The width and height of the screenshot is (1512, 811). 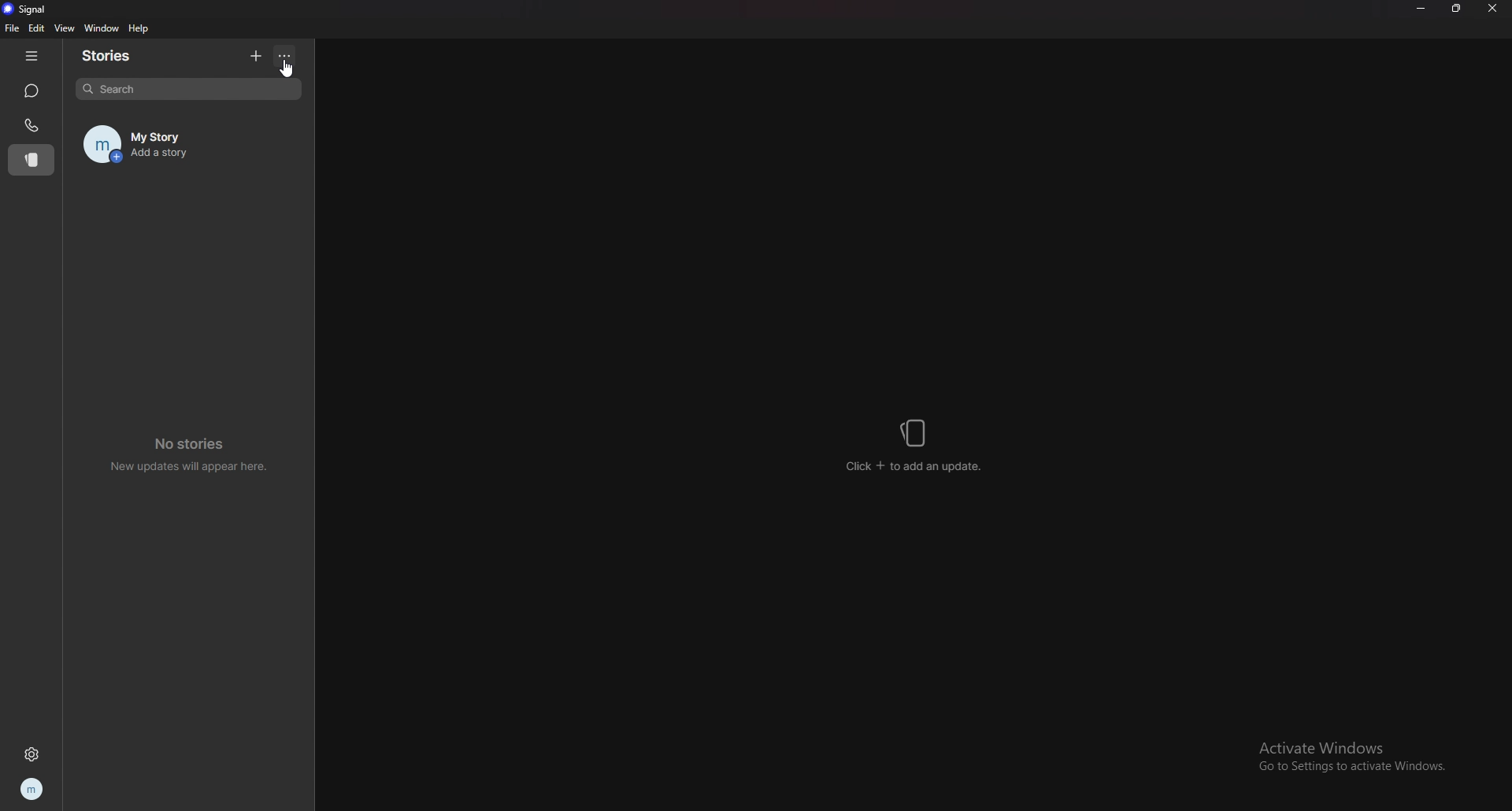 What do you see at coordinates (139, 29) in the screenshot?
I see `help` at bounding box center [139, 29].